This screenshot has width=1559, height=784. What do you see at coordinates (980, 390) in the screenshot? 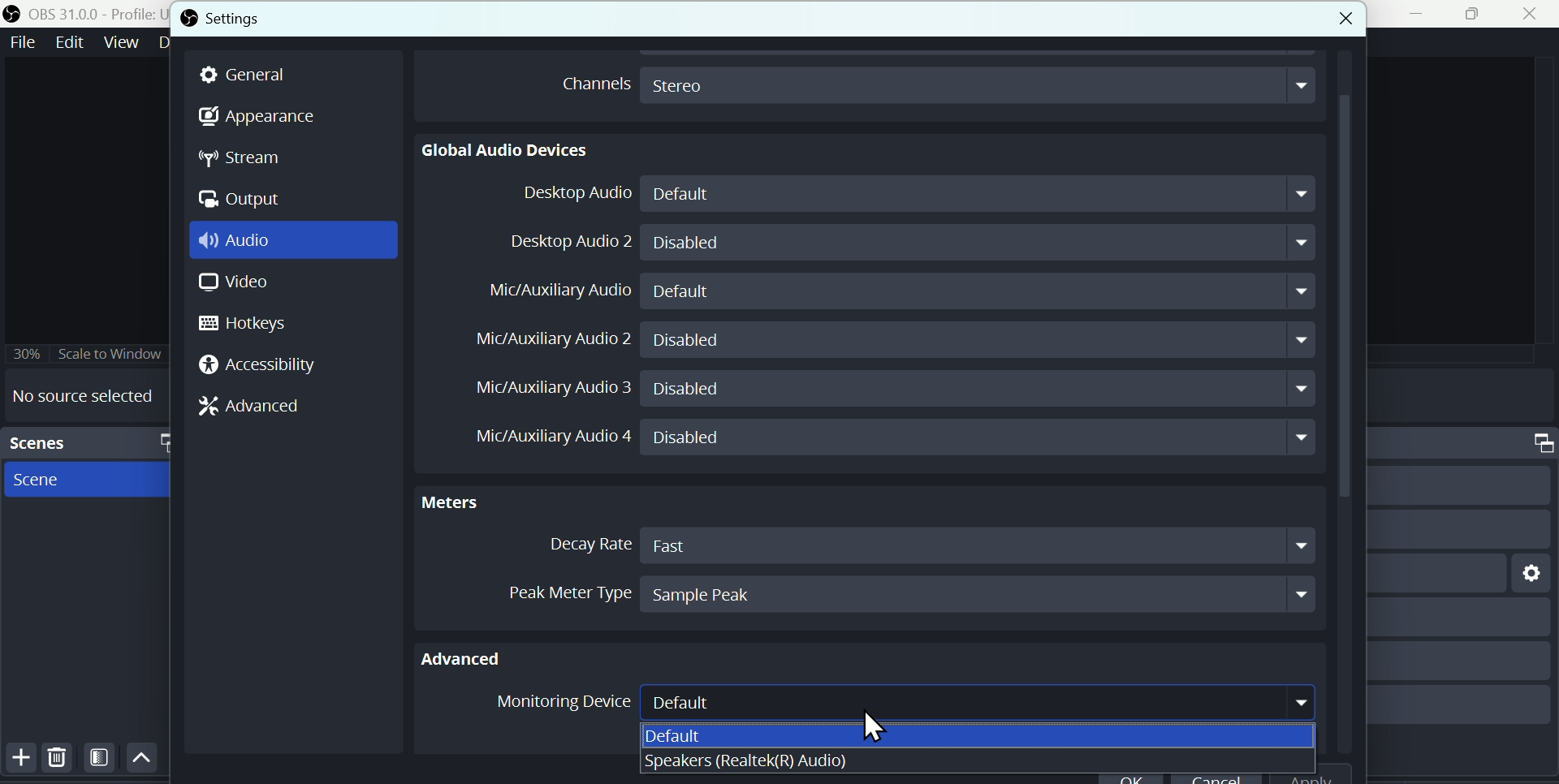
I see `Disabled` at bounding box center [980, 390].